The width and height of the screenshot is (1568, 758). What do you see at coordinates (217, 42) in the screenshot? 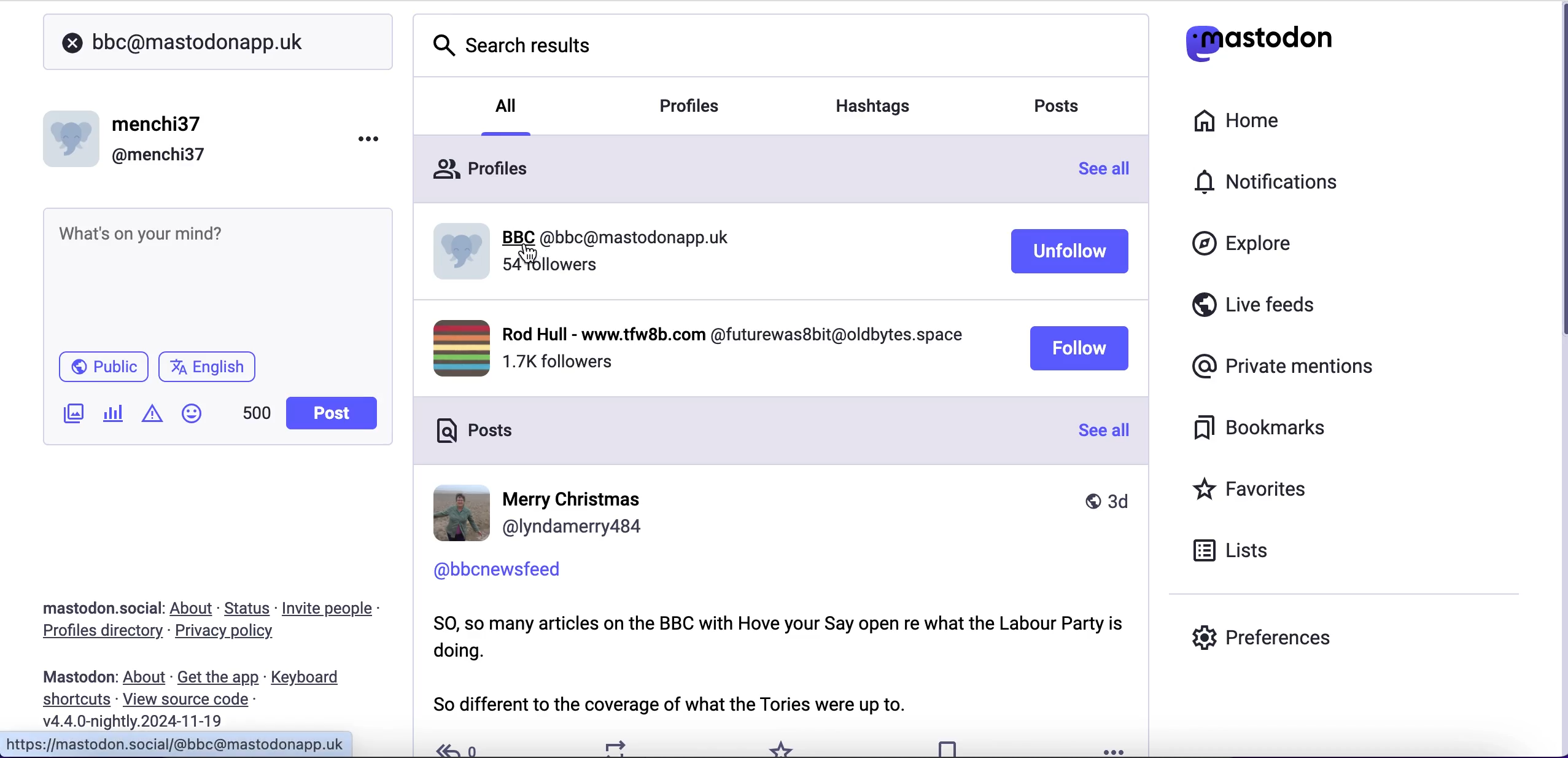
I see `user search` at bounding box center [217, 42].